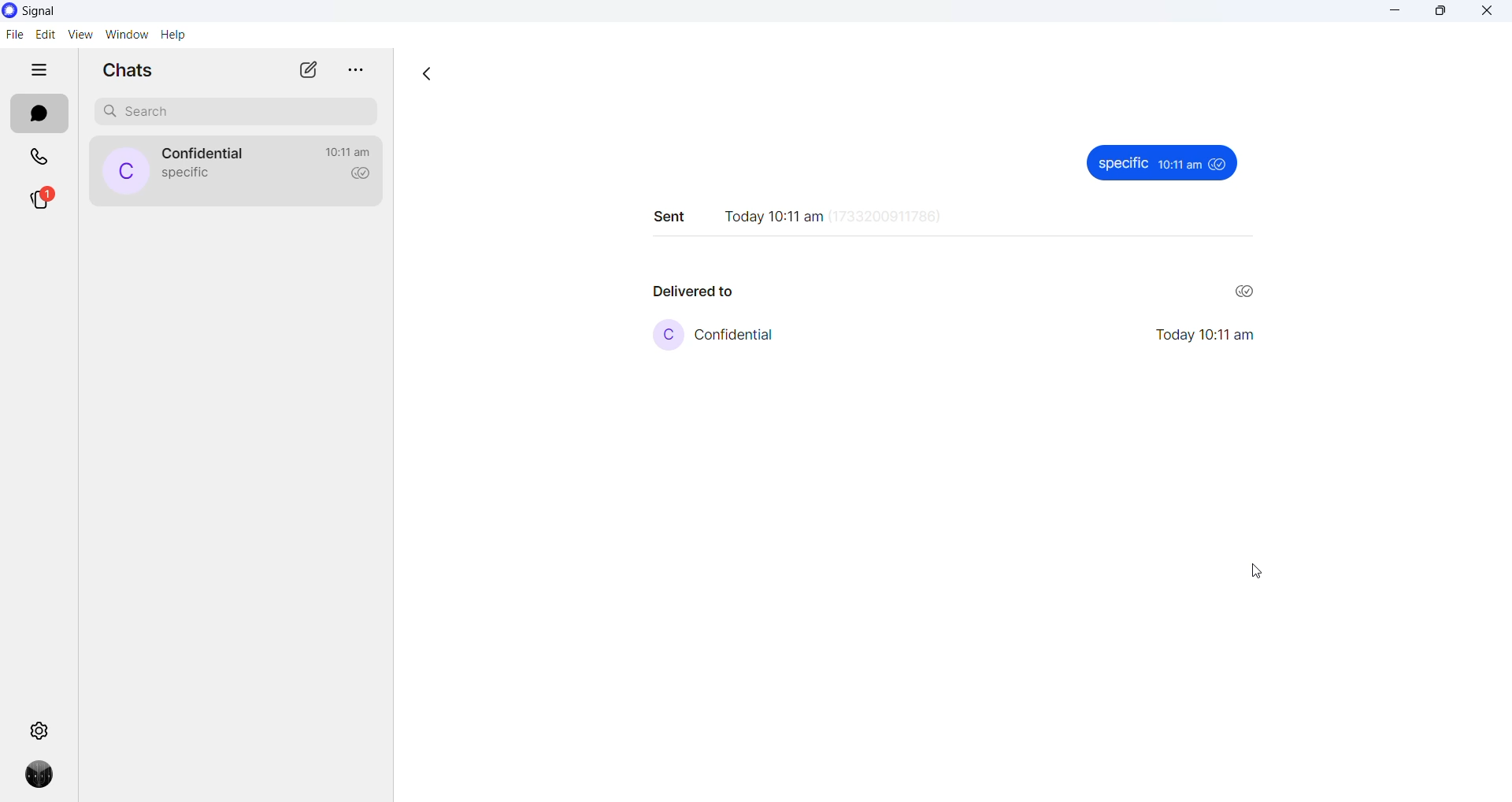 This screenshot has width=1512, height=802. I want to click on hide tabs, so click(39, 71).